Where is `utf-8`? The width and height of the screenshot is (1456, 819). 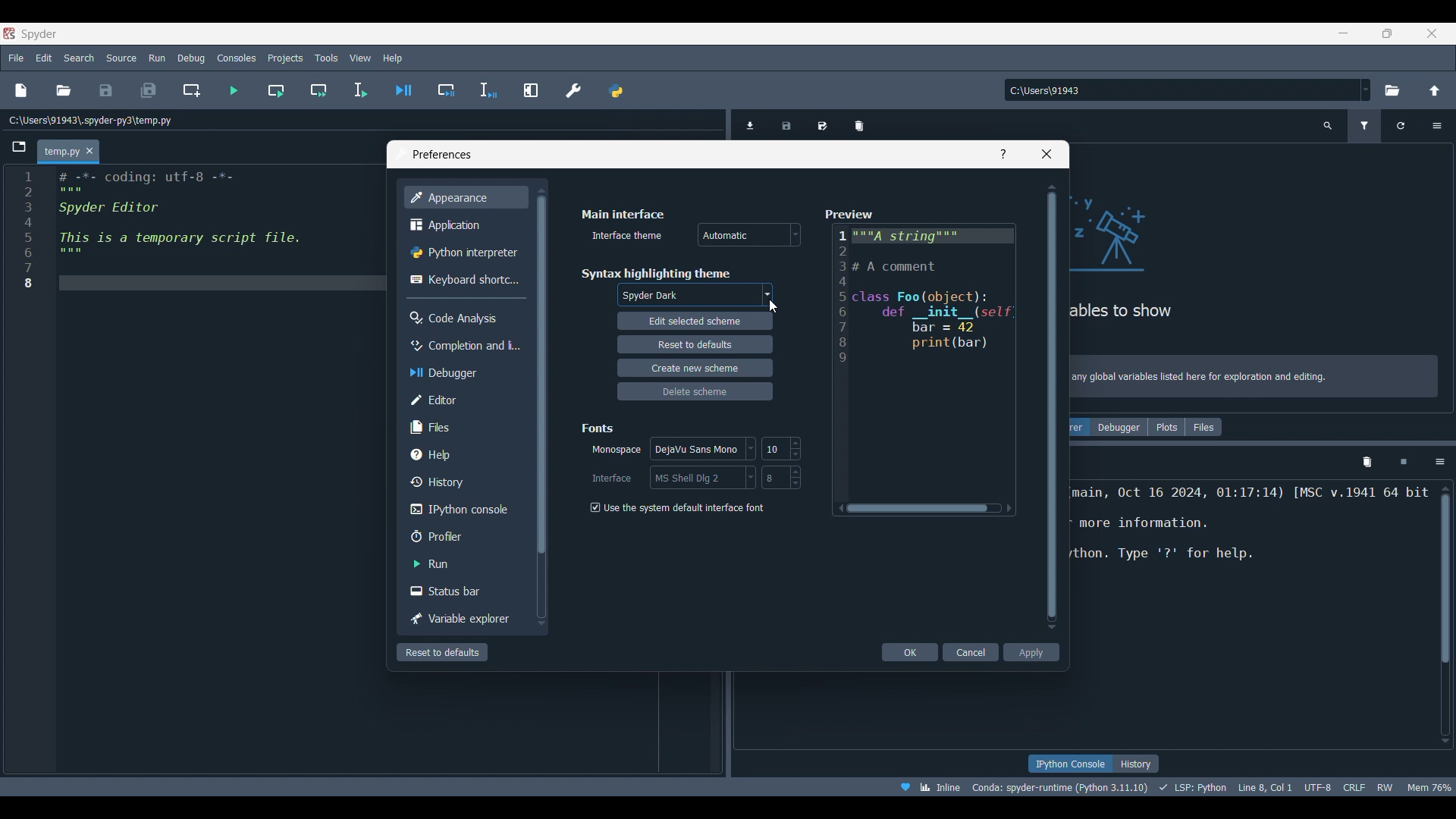 utf-8 is located at coordinates (1316, 786).